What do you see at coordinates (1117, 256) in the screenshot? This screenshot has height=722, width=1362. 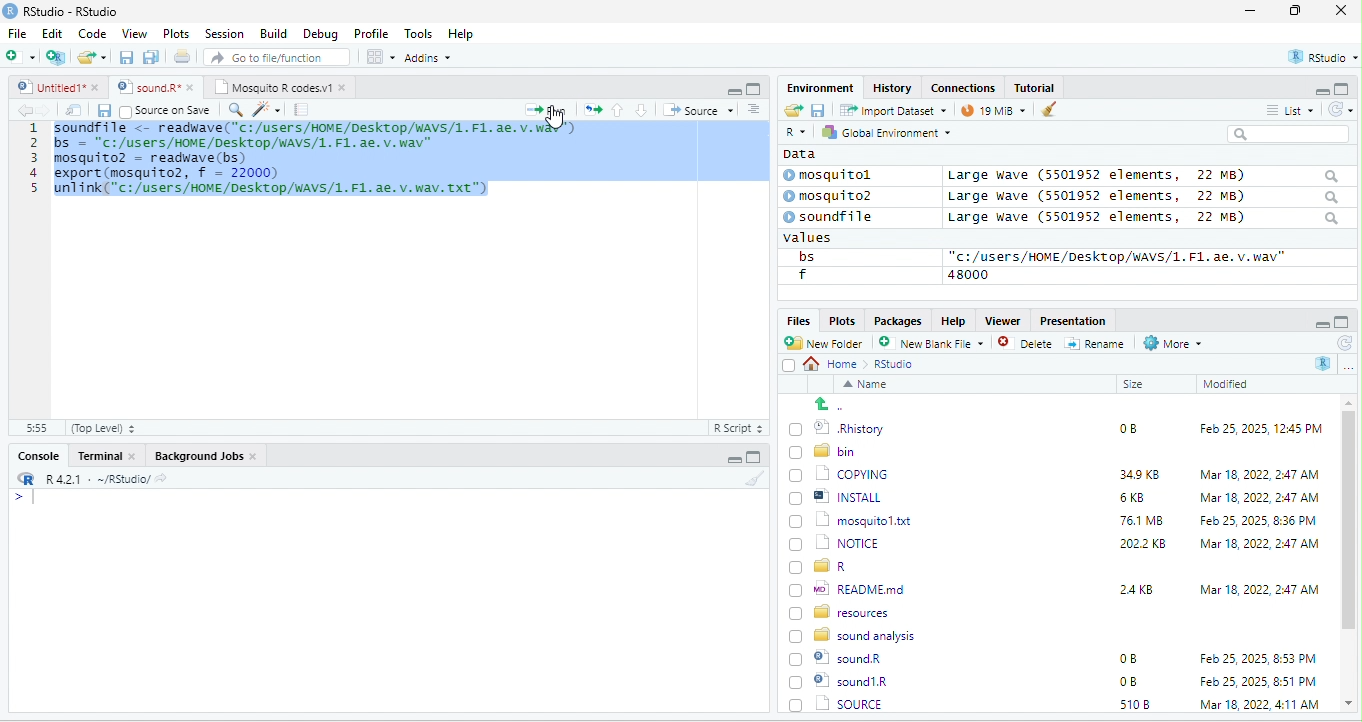 I see `“c:/users/HOME /Desktop/WAVS/1.F1. ae. v.wav"` at bounding box center [1117, 256].